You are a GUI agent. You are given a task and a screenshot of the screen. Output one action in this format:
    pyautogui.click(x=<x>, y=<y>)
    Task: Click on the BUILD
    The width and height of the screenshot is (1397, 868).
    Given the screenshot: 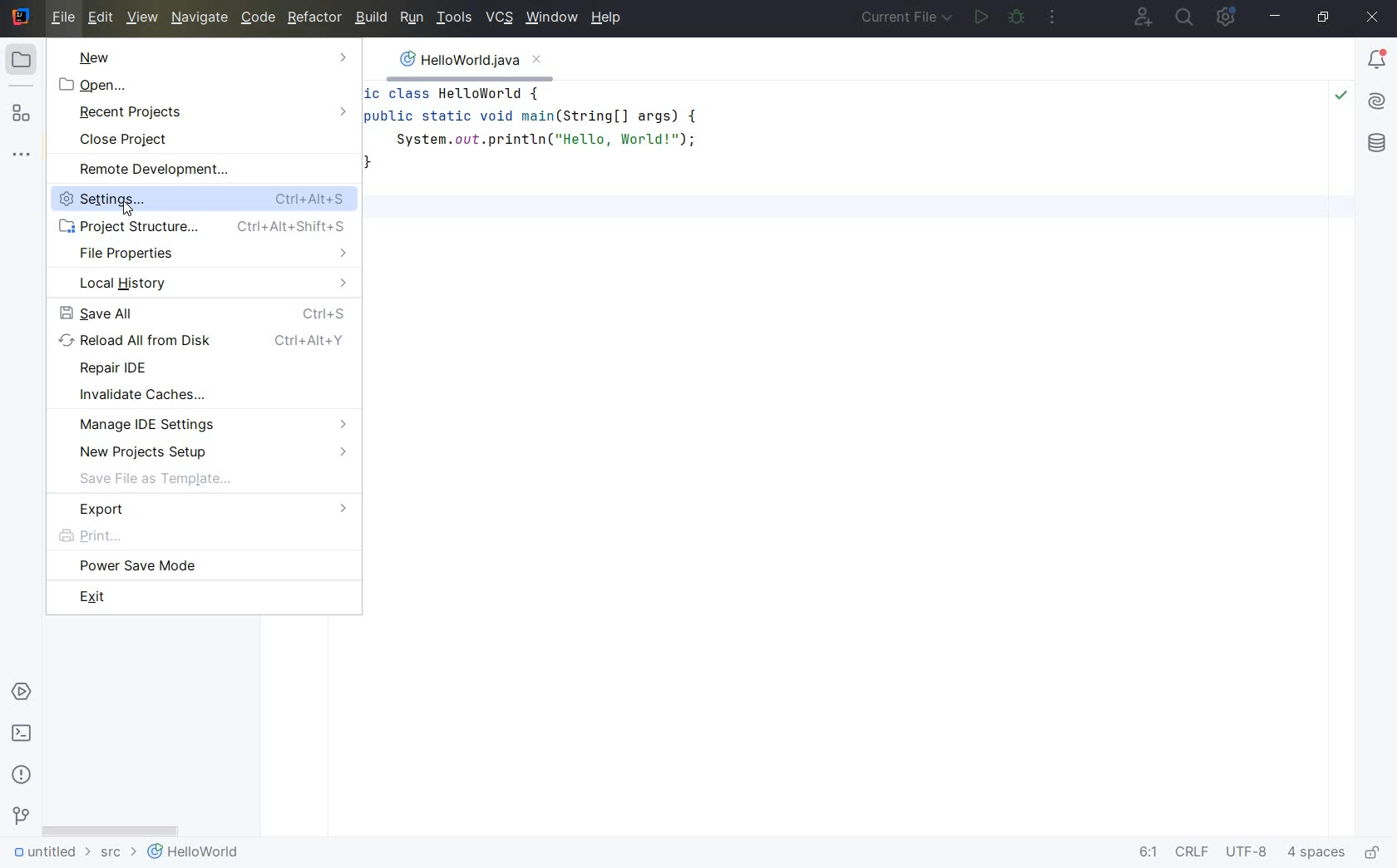 What is the action you would take?
    pyautogui.click(x=371, y=17)
    